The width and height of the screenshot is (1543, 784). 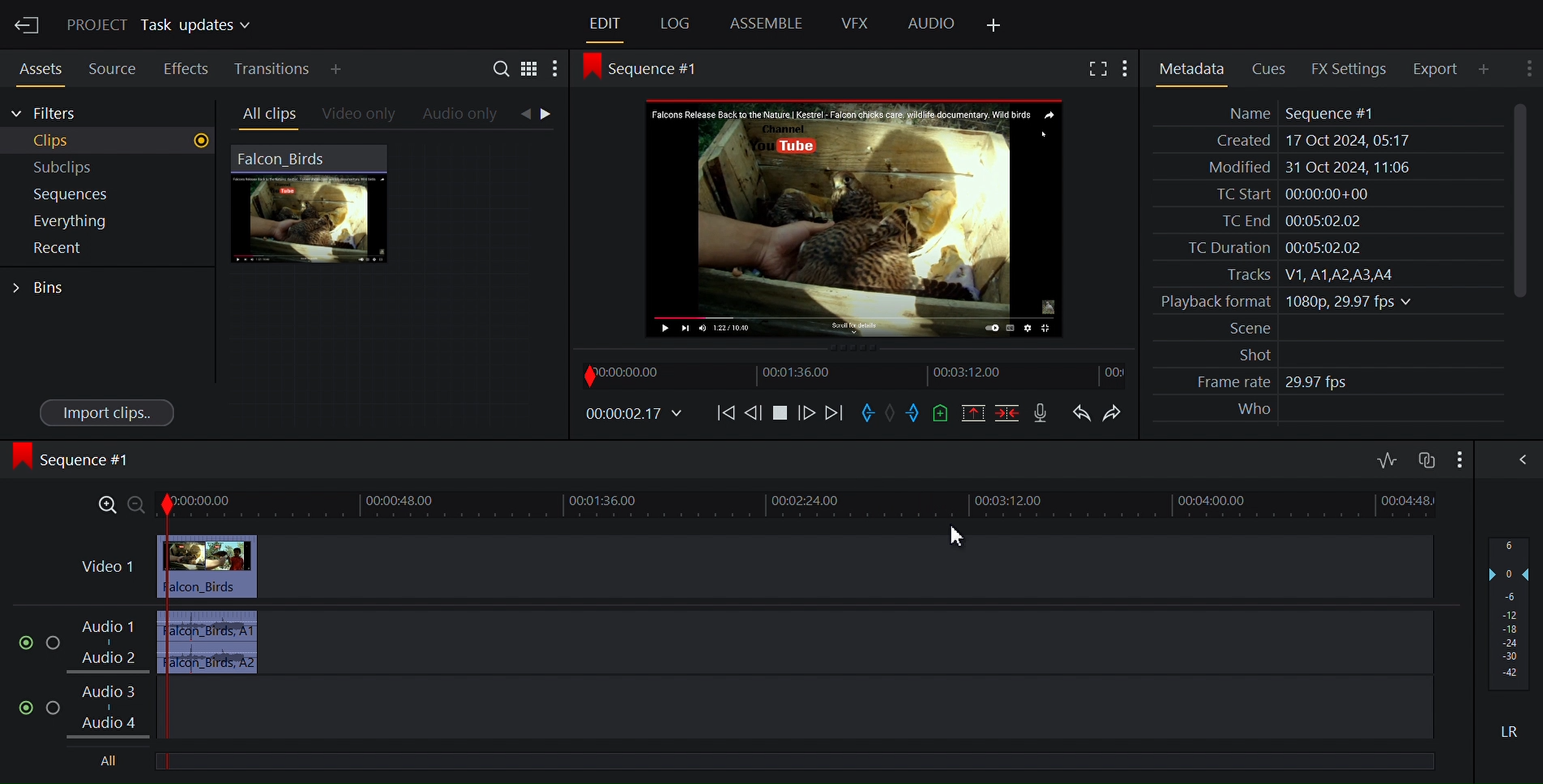 What do you see at coordinates (20, 639) in the screenshot?
I see `Mute/Unmute` at bounding box center [20, 639].